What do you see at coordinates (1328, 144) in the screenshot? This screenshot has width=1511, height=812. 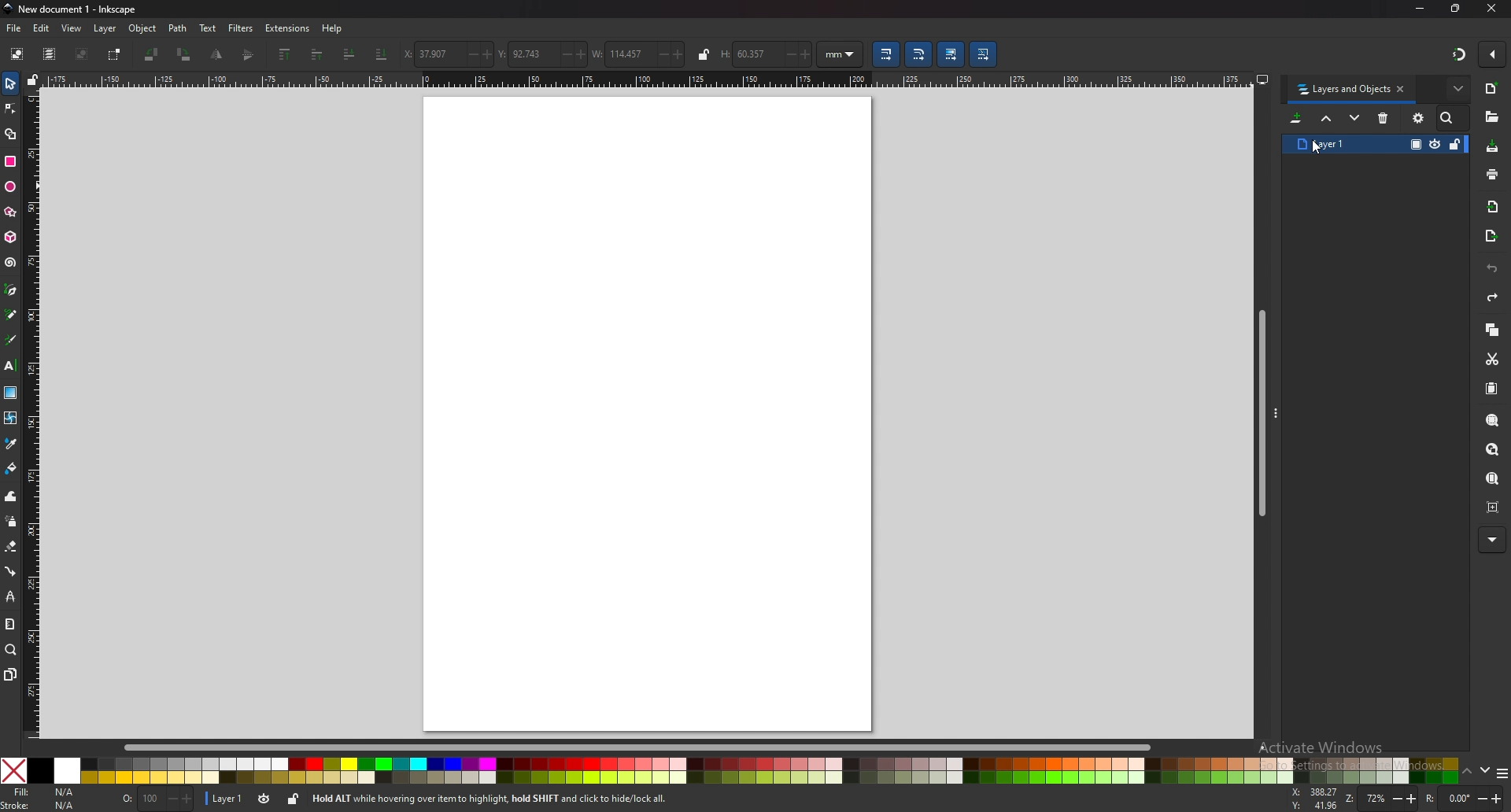 I see `layer 1` at bounding box center [1328, 144].